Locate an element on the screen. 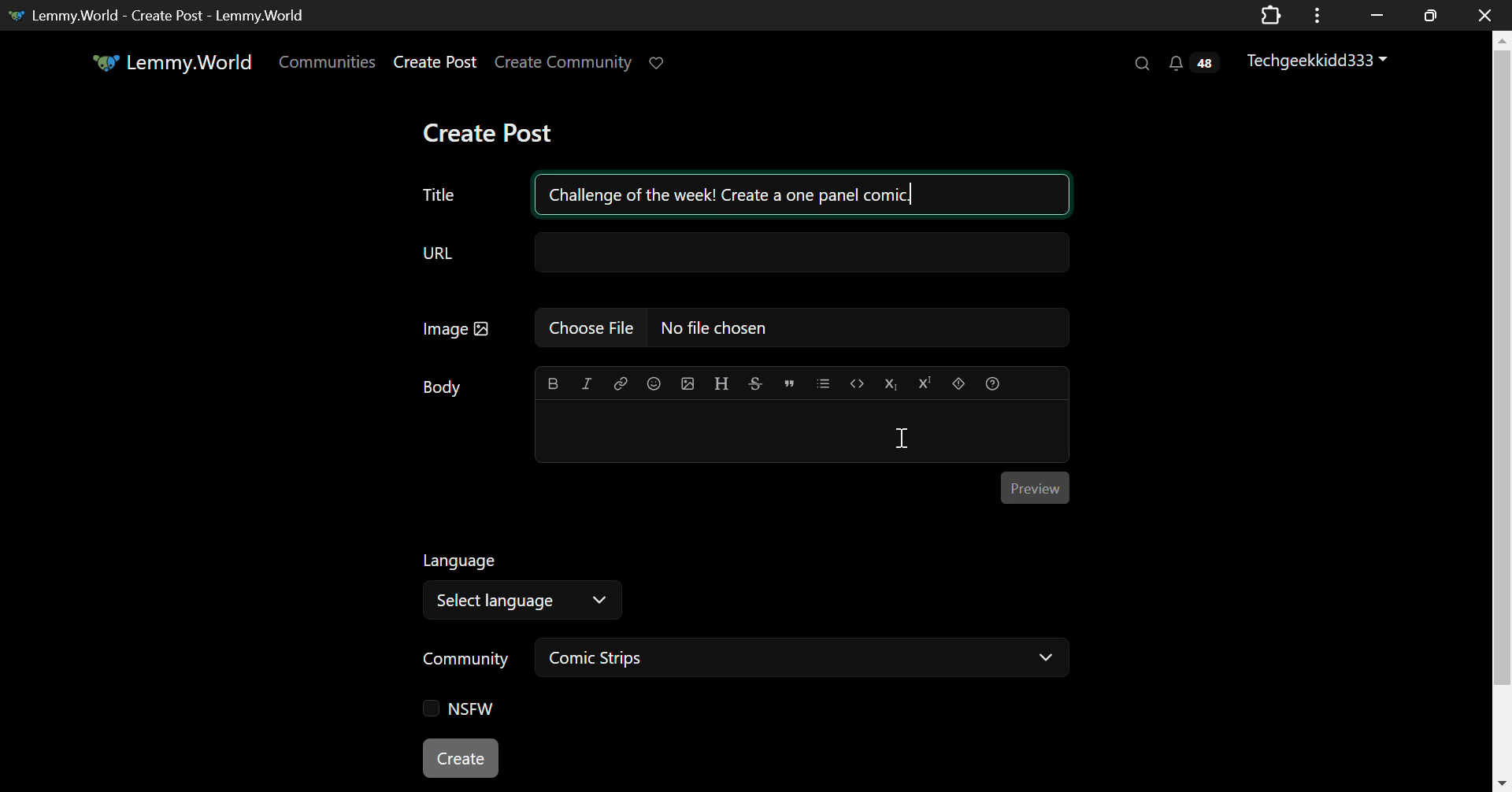 This screenshot has height=792, width=1512. Restore Down is located at coordinates (1377, 13).